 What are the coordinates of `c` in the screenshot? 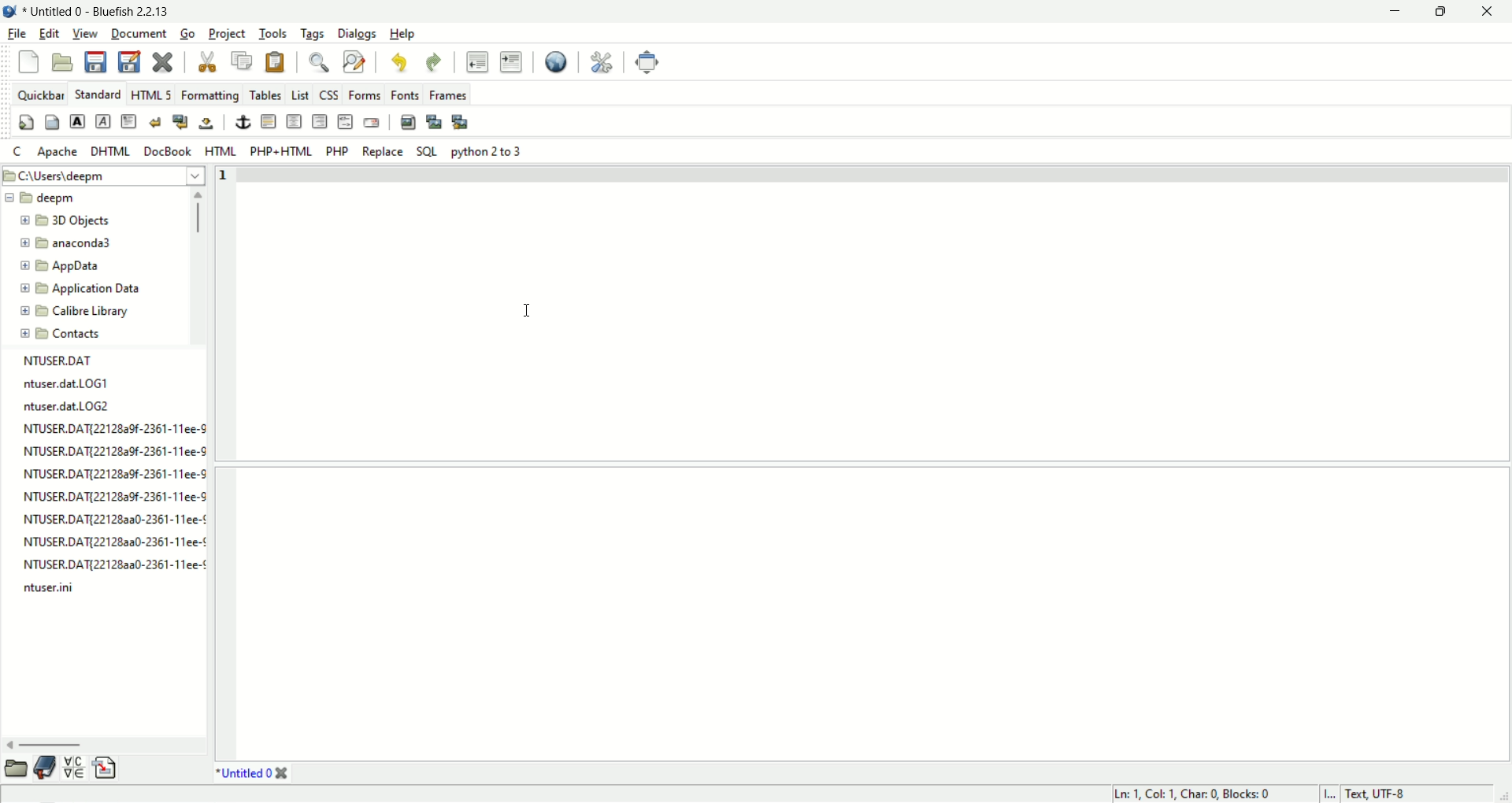 It's located at (20, 152).